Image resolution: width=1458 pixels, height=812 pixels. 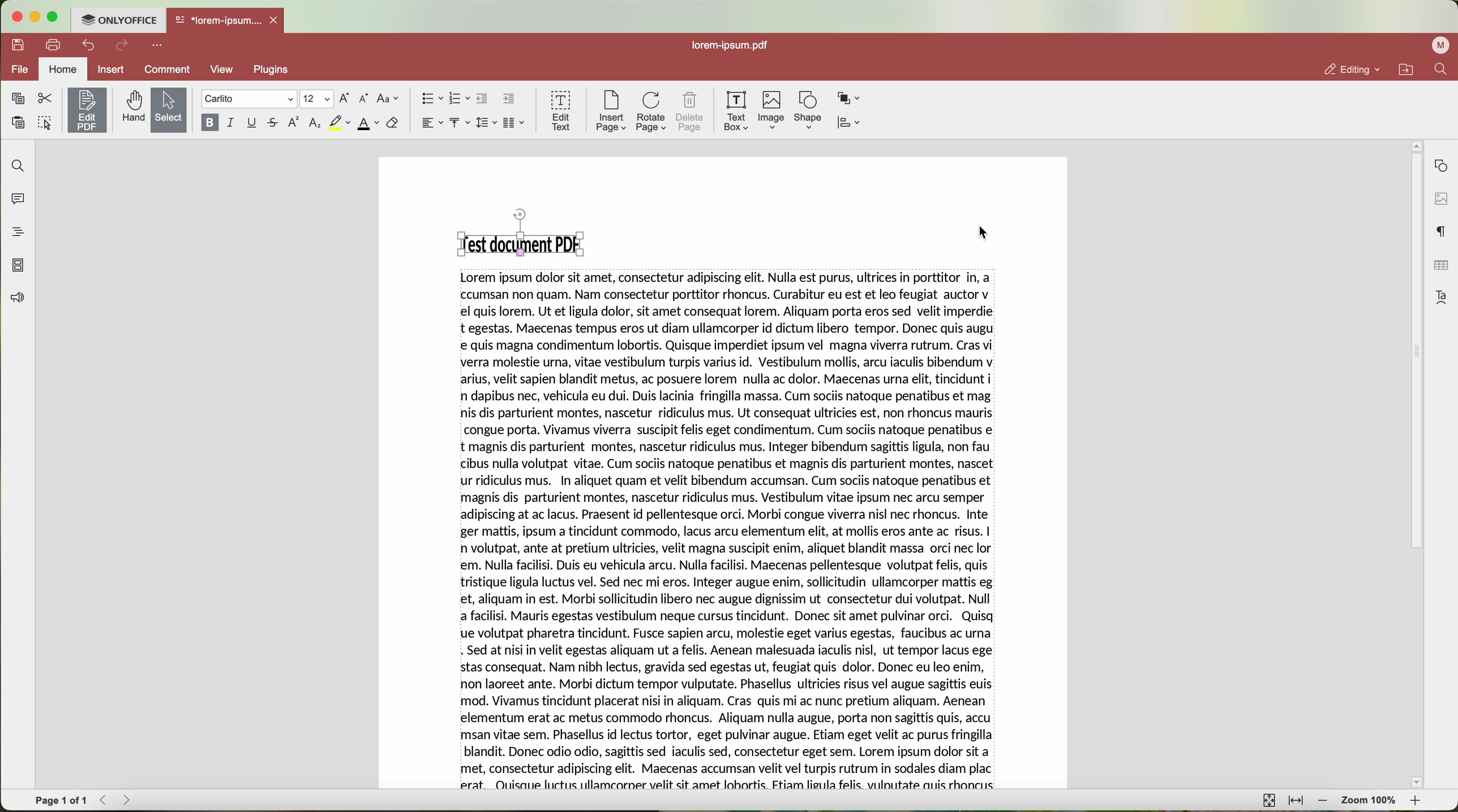 I want to click on plugins, so click(x=273, y=71).